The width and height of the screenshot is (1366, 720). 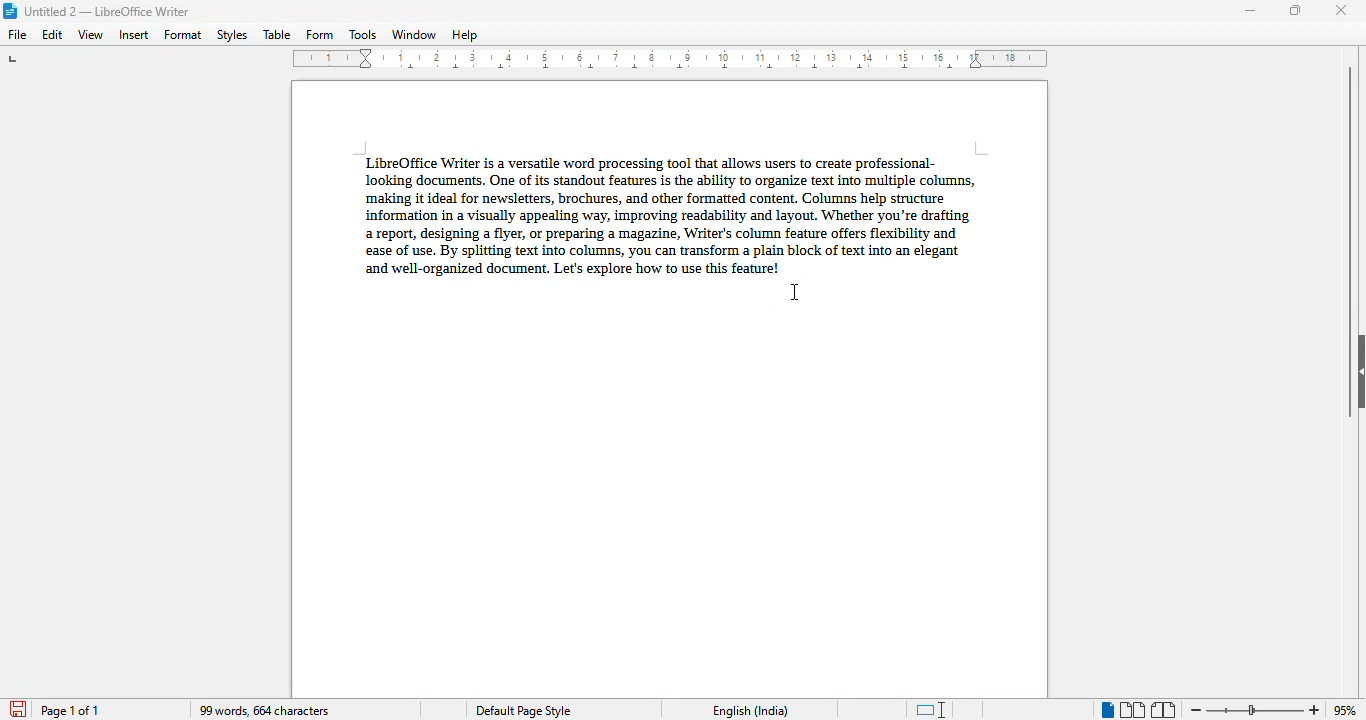 I want to click on click to save document, so click(x=18, y=710).